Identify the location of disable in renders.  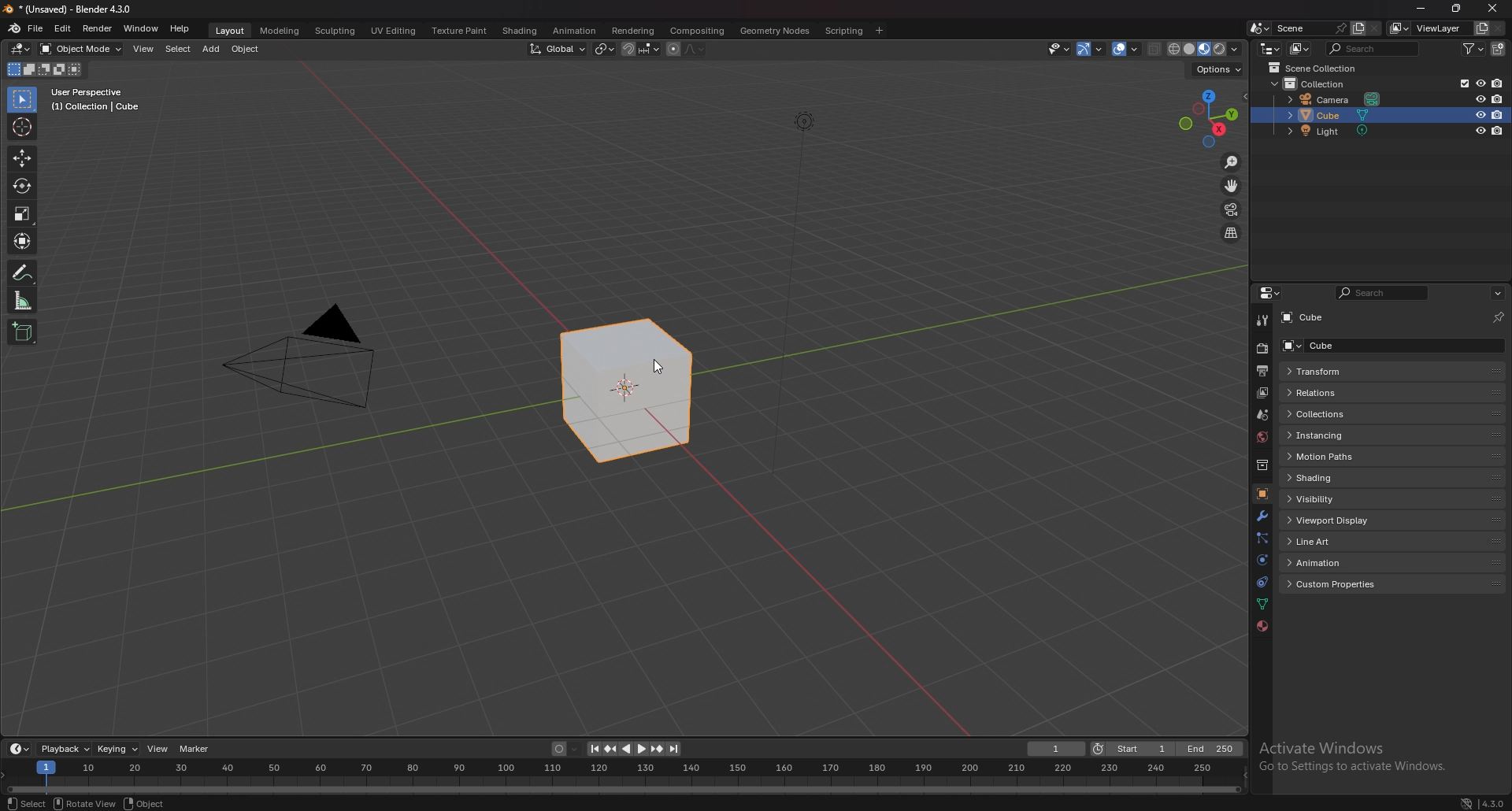
(1498, 83).